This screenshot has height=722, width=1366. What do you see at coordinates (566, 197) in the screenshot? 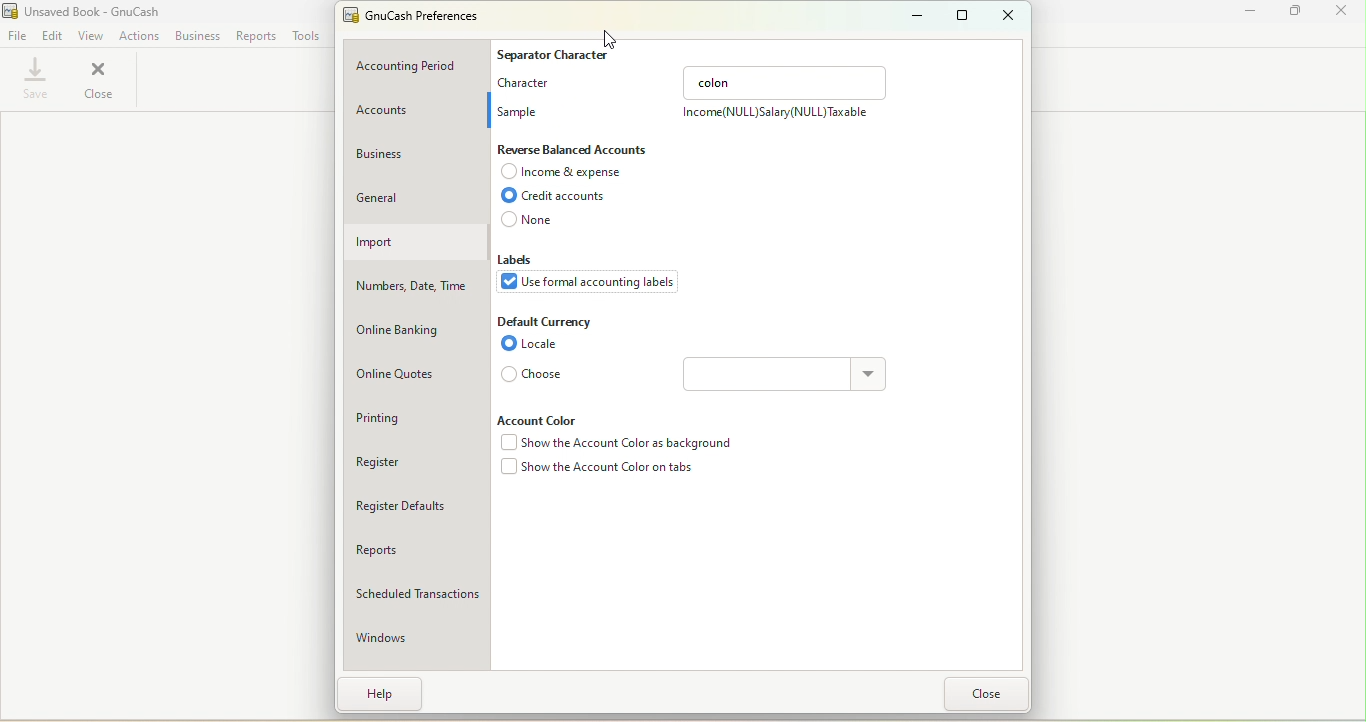
I see `Credit accounts` at bounding box center [566, 197].